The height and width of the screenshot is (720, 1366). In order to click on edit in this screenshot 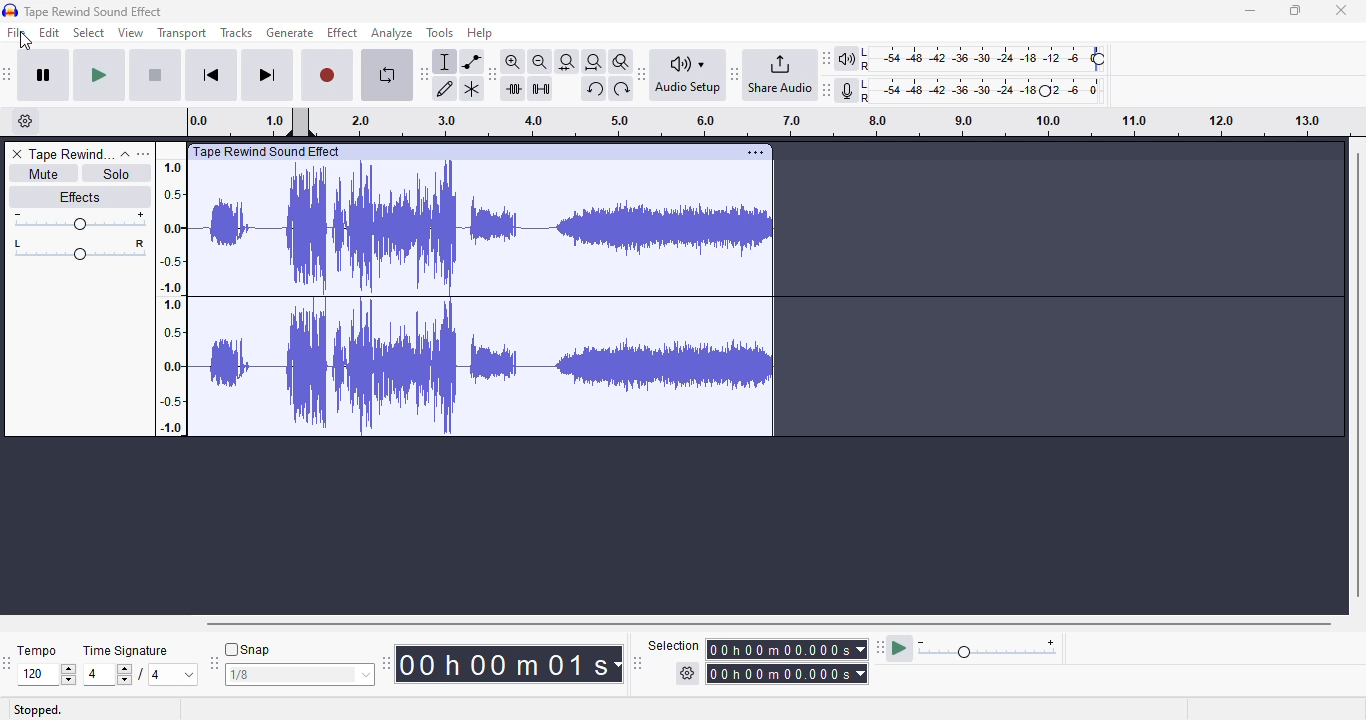, I will do `click(50, 32)`.